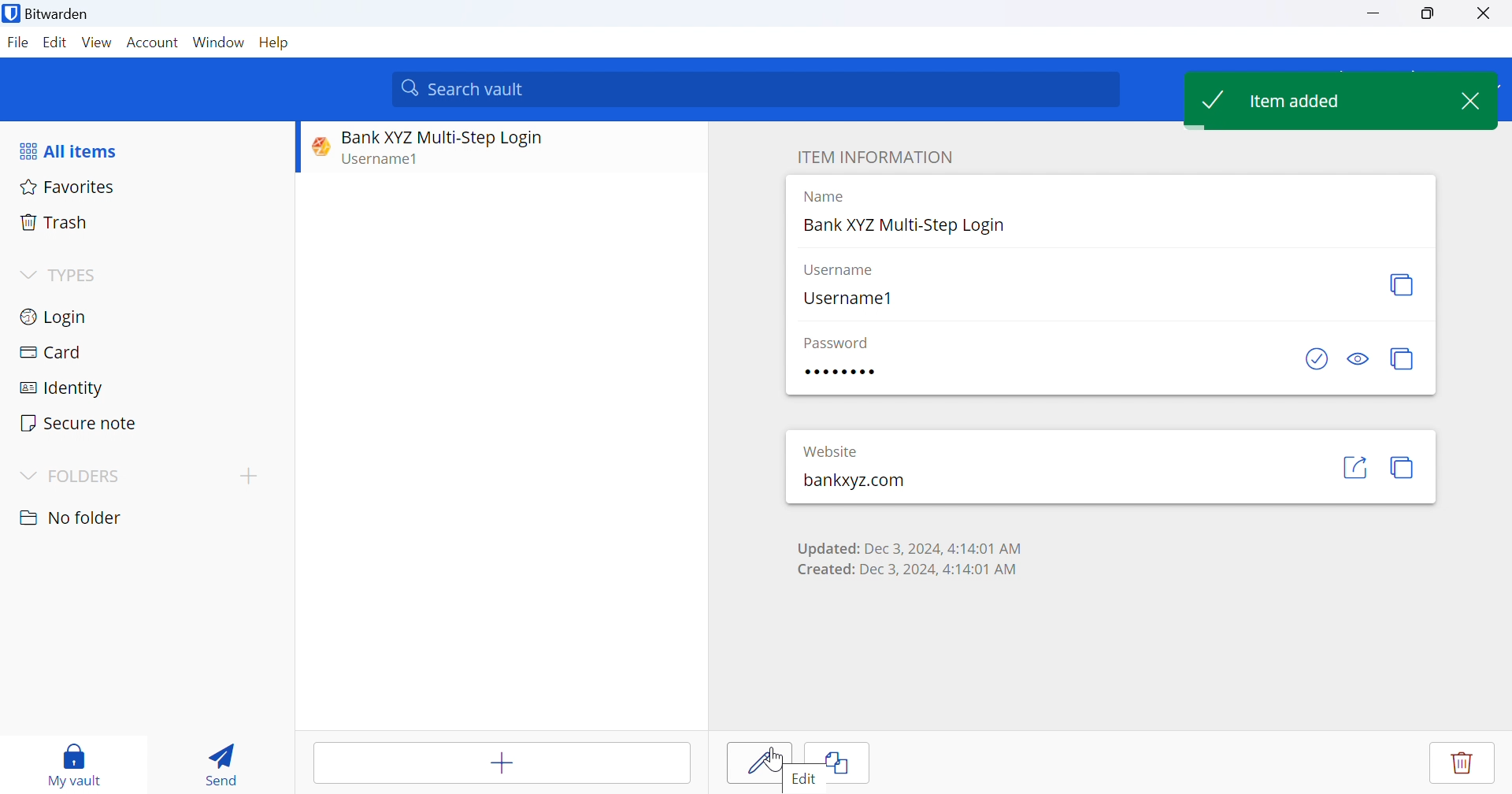  What do you see at coordinates (96, 42) in the screenshot?
I see `View` at bounding box center [96, 42].